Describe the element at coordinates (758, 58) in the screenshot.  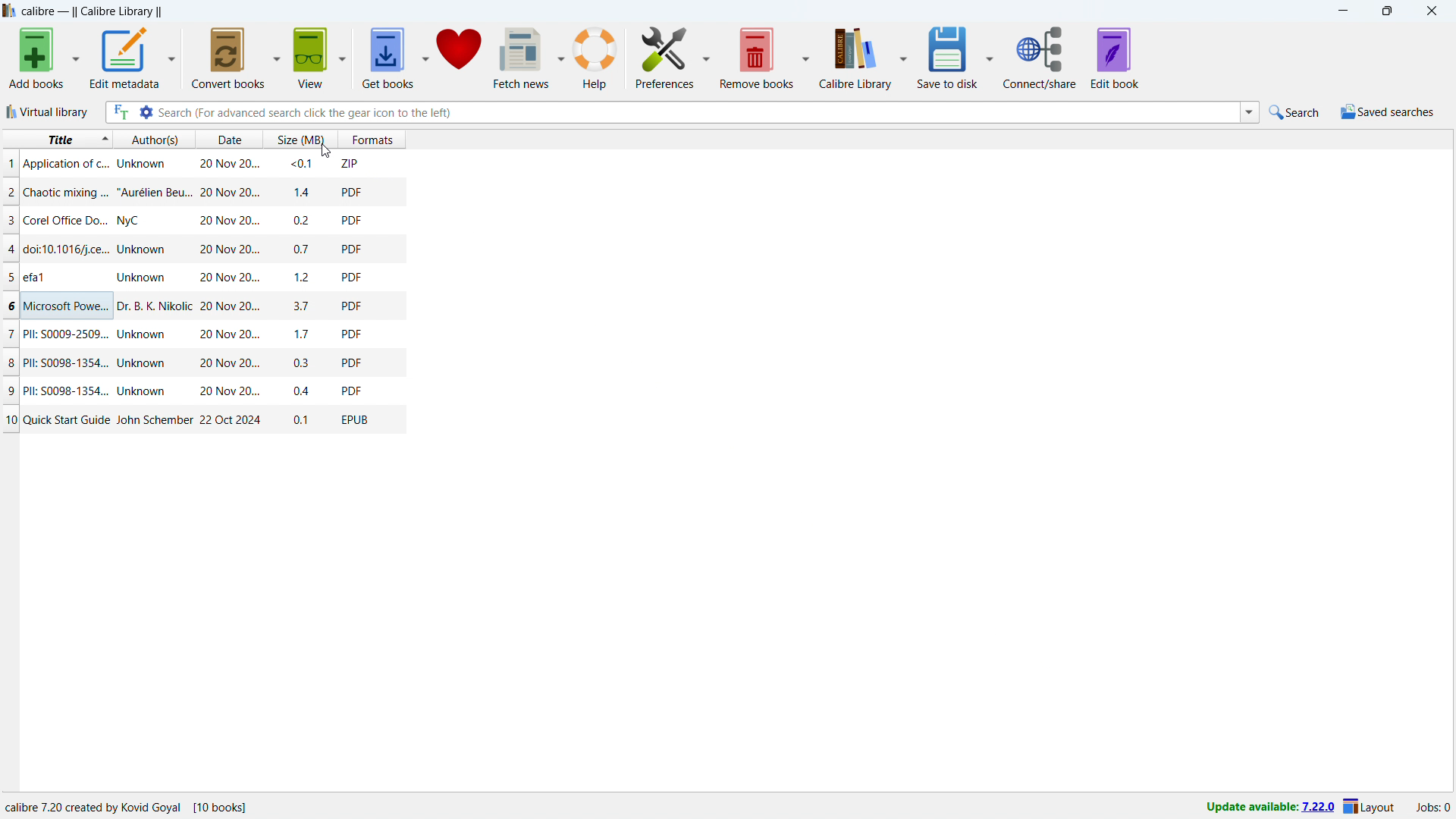
I see `save to disk` at that location.